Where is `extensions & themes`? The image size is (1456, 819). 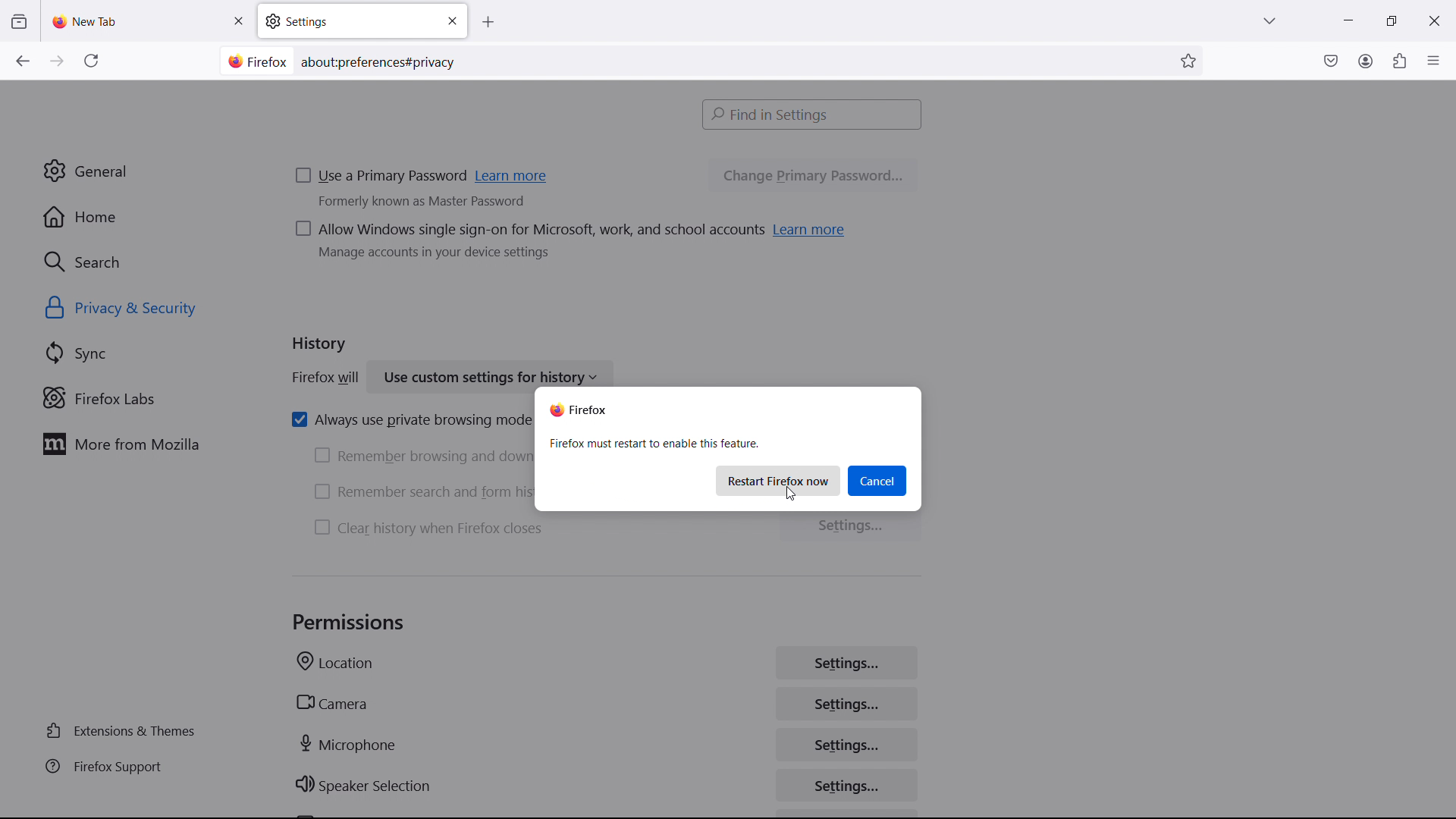 extensions & themes is located at coordinates (124, 731).